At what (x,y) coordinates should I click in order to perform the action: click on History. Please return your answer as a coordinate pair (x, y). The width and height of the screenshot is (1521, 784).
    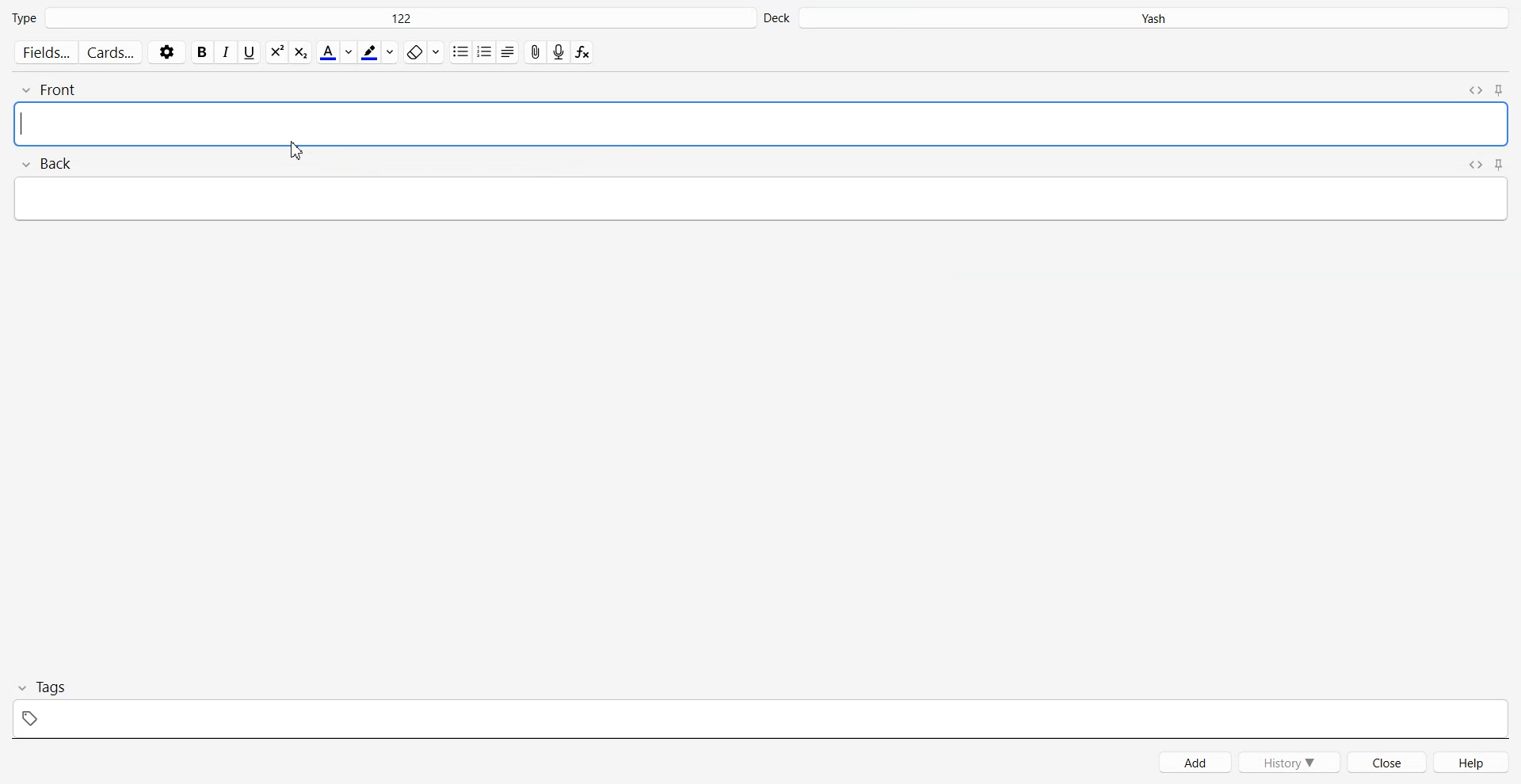
    Looking at the image, I should click on (1290, 762).